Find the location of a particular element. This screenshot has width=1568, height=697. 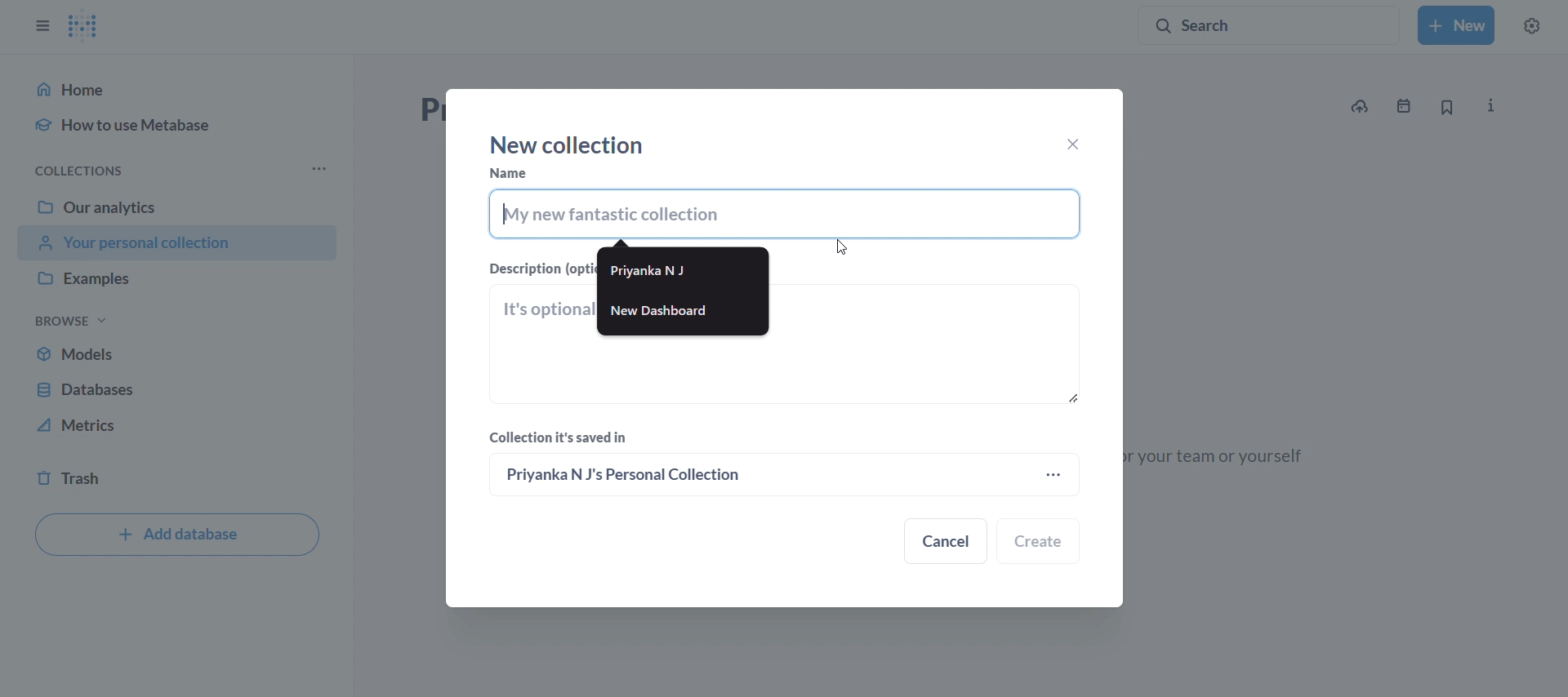

metabase logo is located at coordinates (84, 25).